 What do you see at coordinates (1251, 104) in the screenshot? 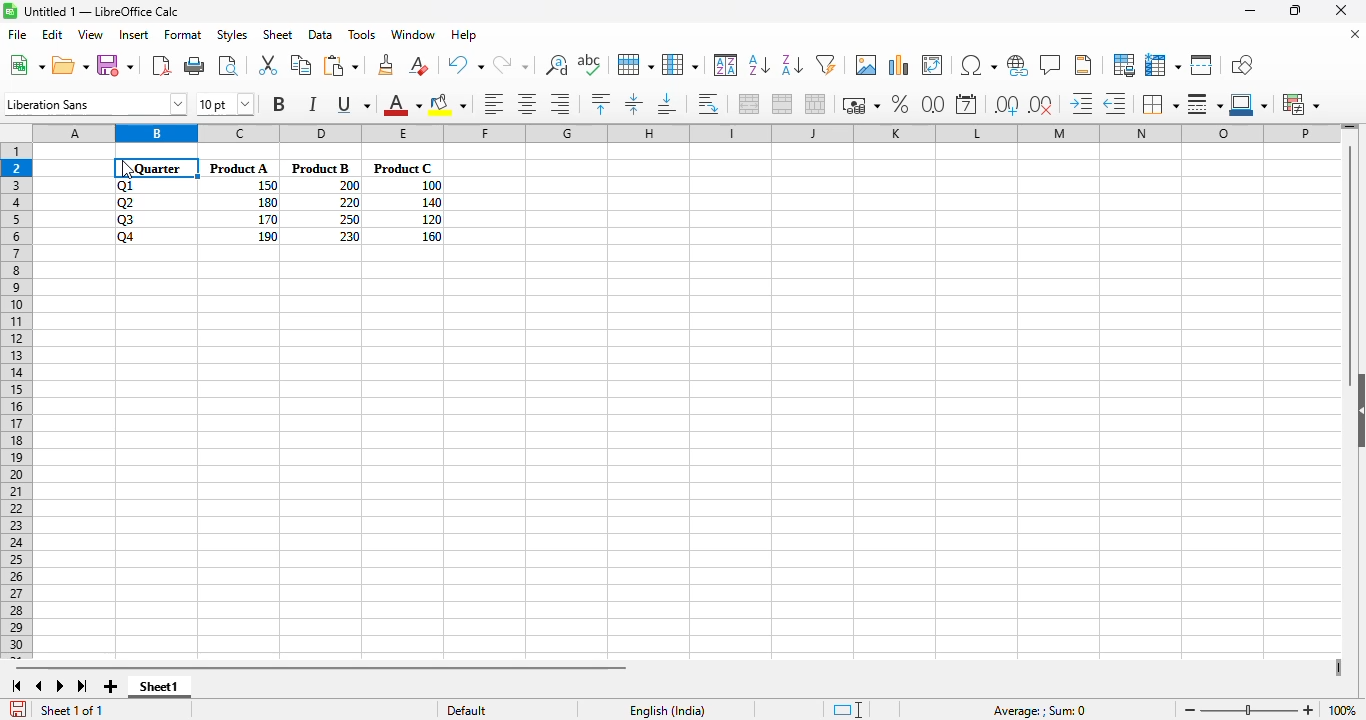
I see `border color` at bounding box center [1251, 104].